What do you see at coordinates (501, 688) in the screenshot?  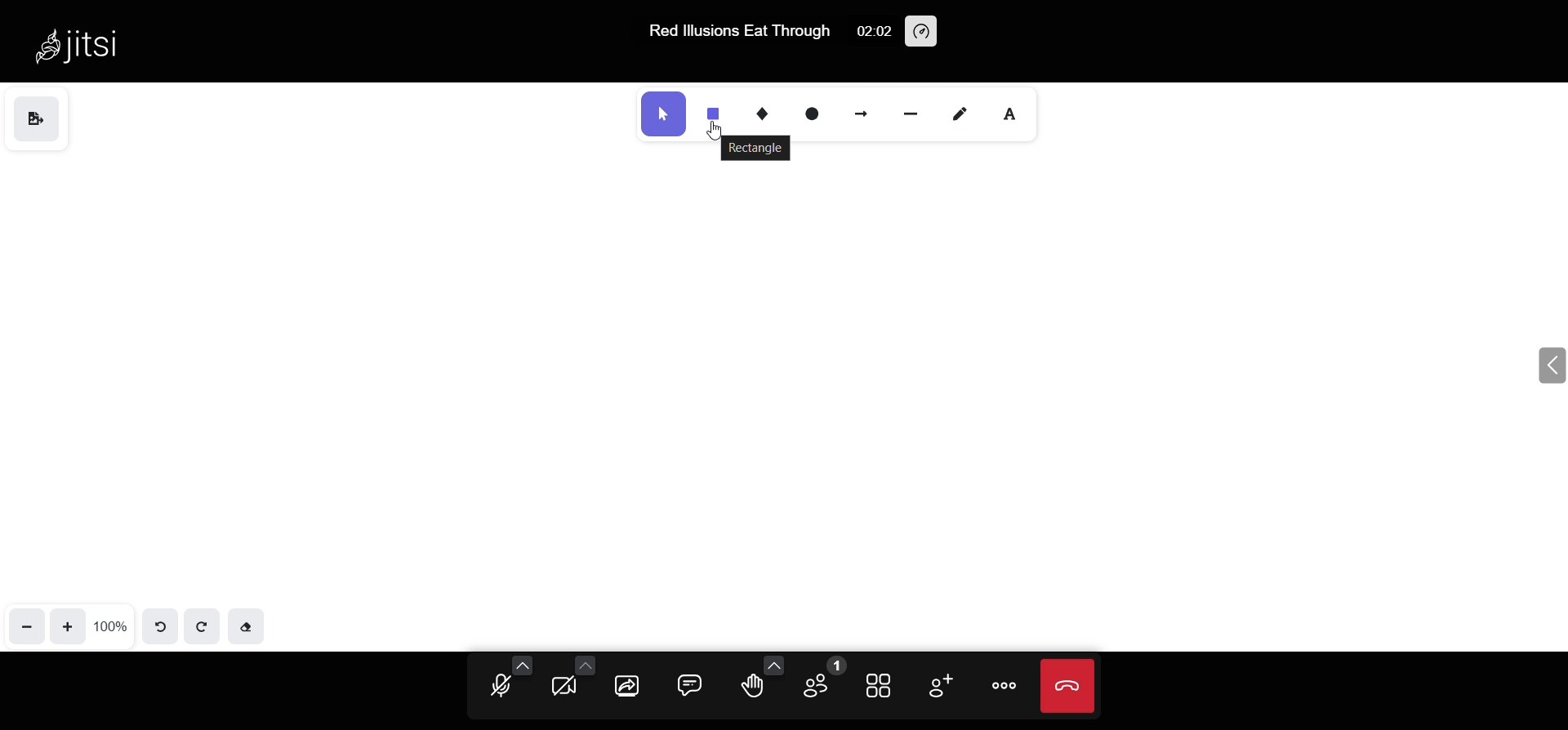 I see `microphone` at bounding box center [501, 688].